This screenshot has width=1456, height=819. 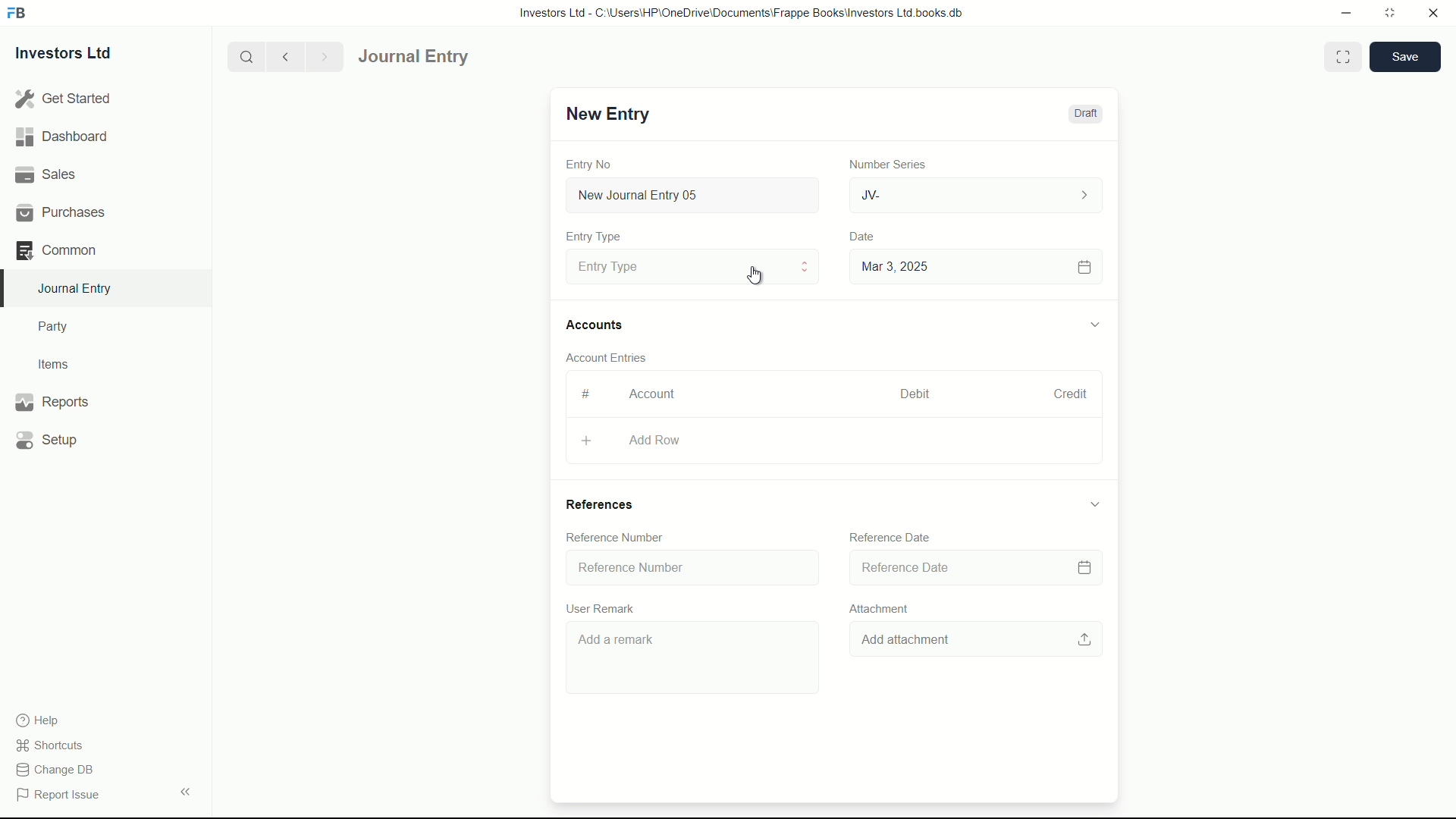 What do you see at coordinates (616, 536) in the screenshot?
I see `Reference Number` at bounding box center [616, 536].